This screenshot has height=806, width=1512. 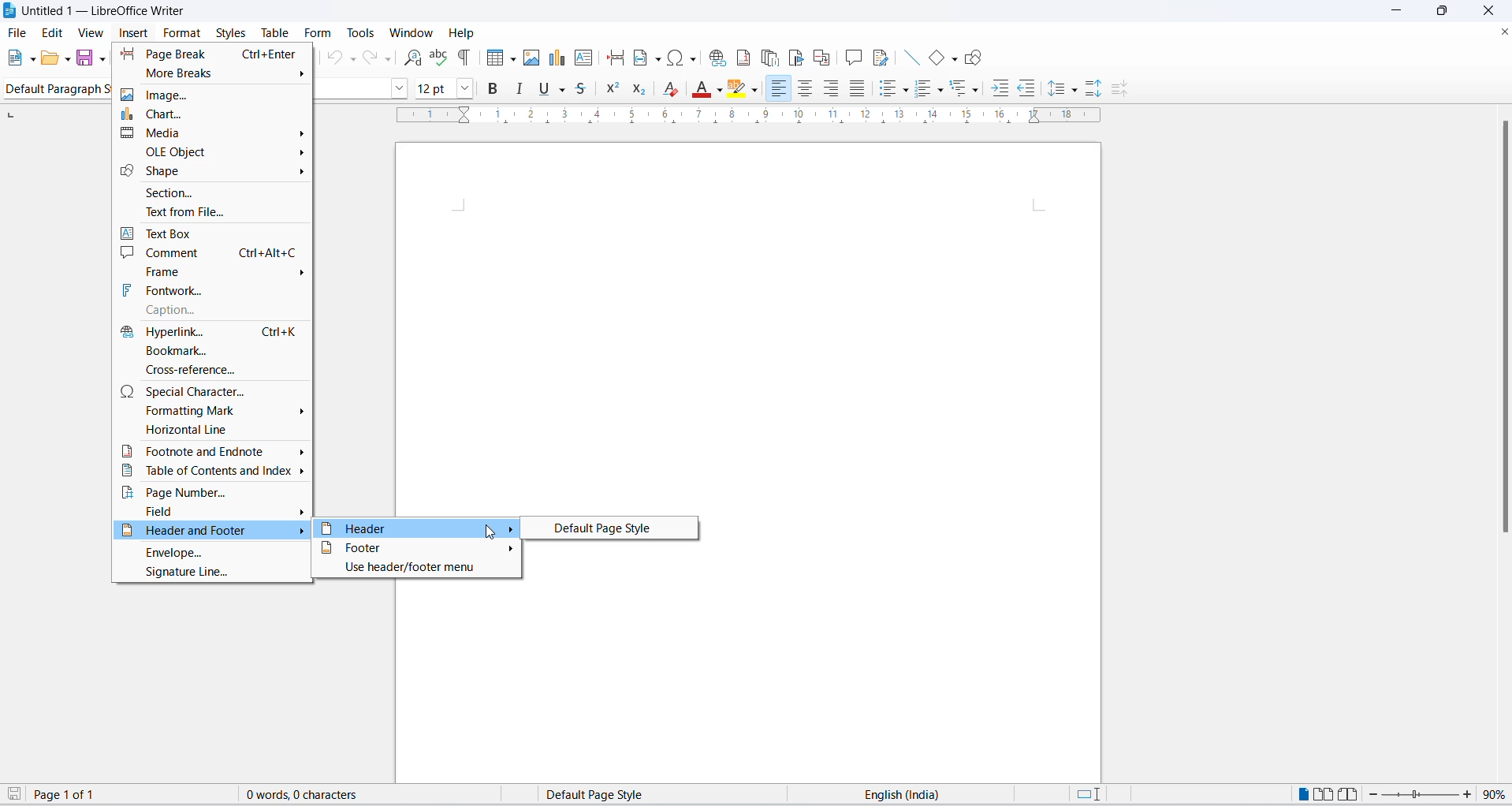 What do you see at coordinates (931, 54) in the screenshot?
I see `basic shapes` at bounding box center [931, 54].